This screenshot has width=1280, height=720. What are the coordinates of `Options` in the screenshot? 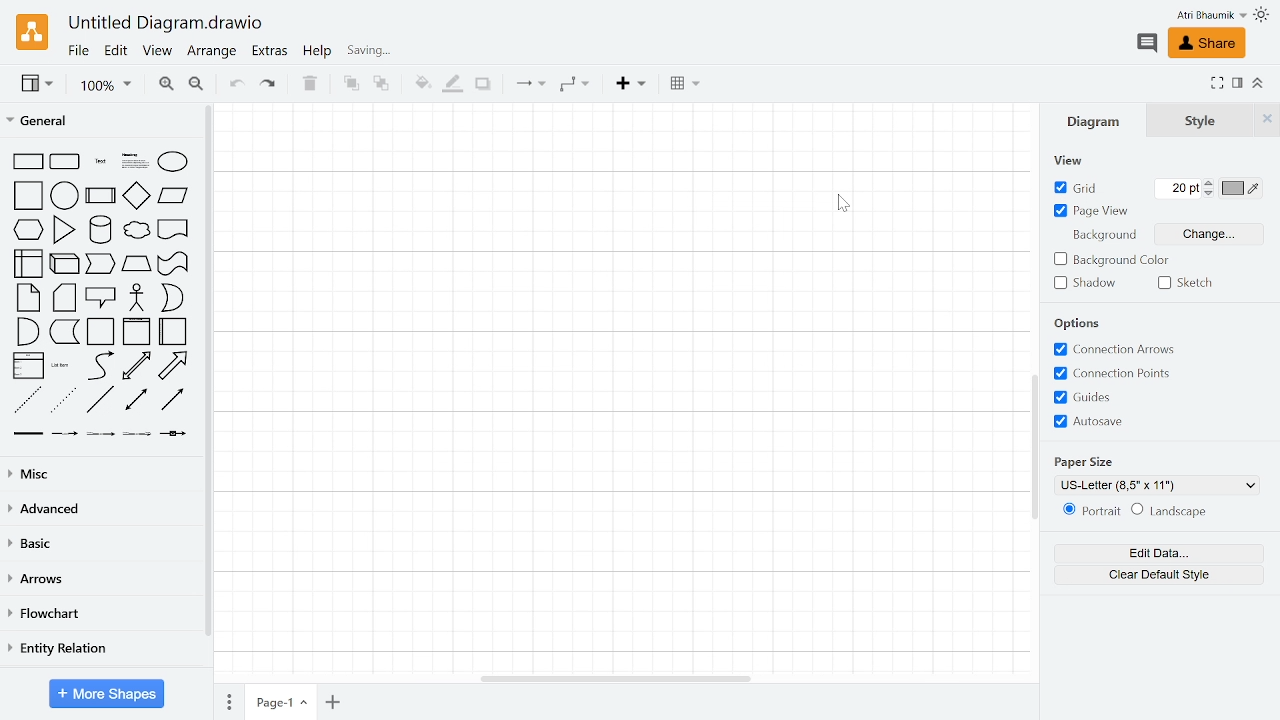 It's located at (1071, 322).